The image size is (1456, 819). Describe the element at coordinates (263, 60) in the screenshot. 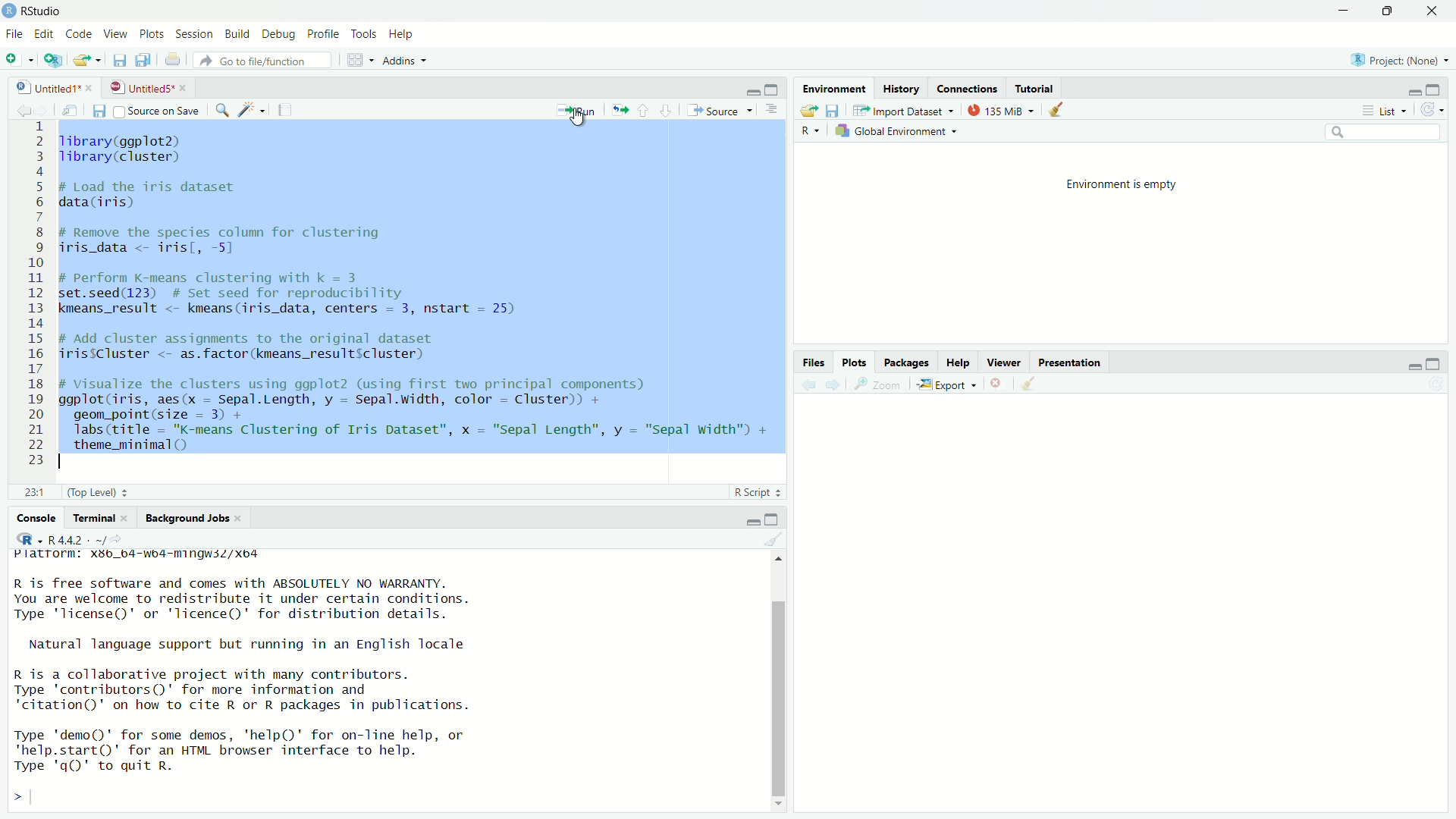

I see `go to file/function` at that location.